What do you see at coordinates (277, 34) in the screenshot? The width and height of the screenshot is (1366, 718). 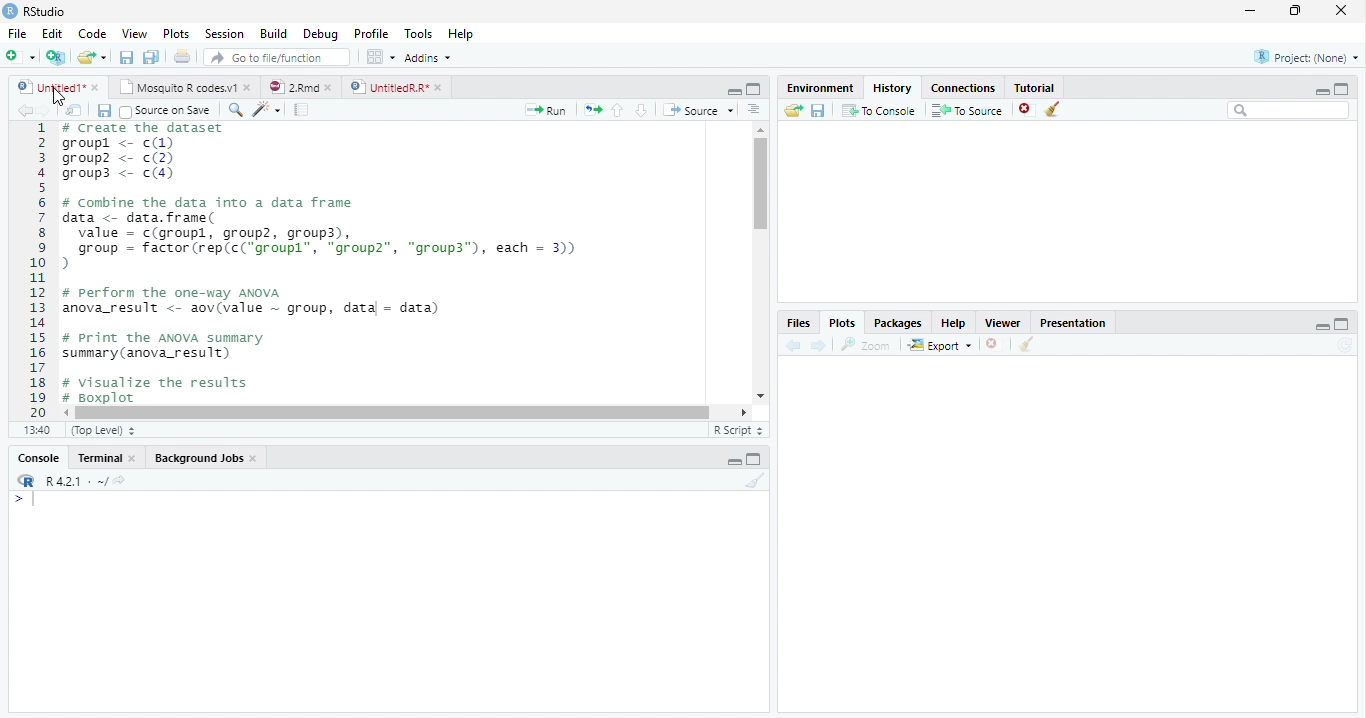 I see `Build` at bounding box center [277, 34].